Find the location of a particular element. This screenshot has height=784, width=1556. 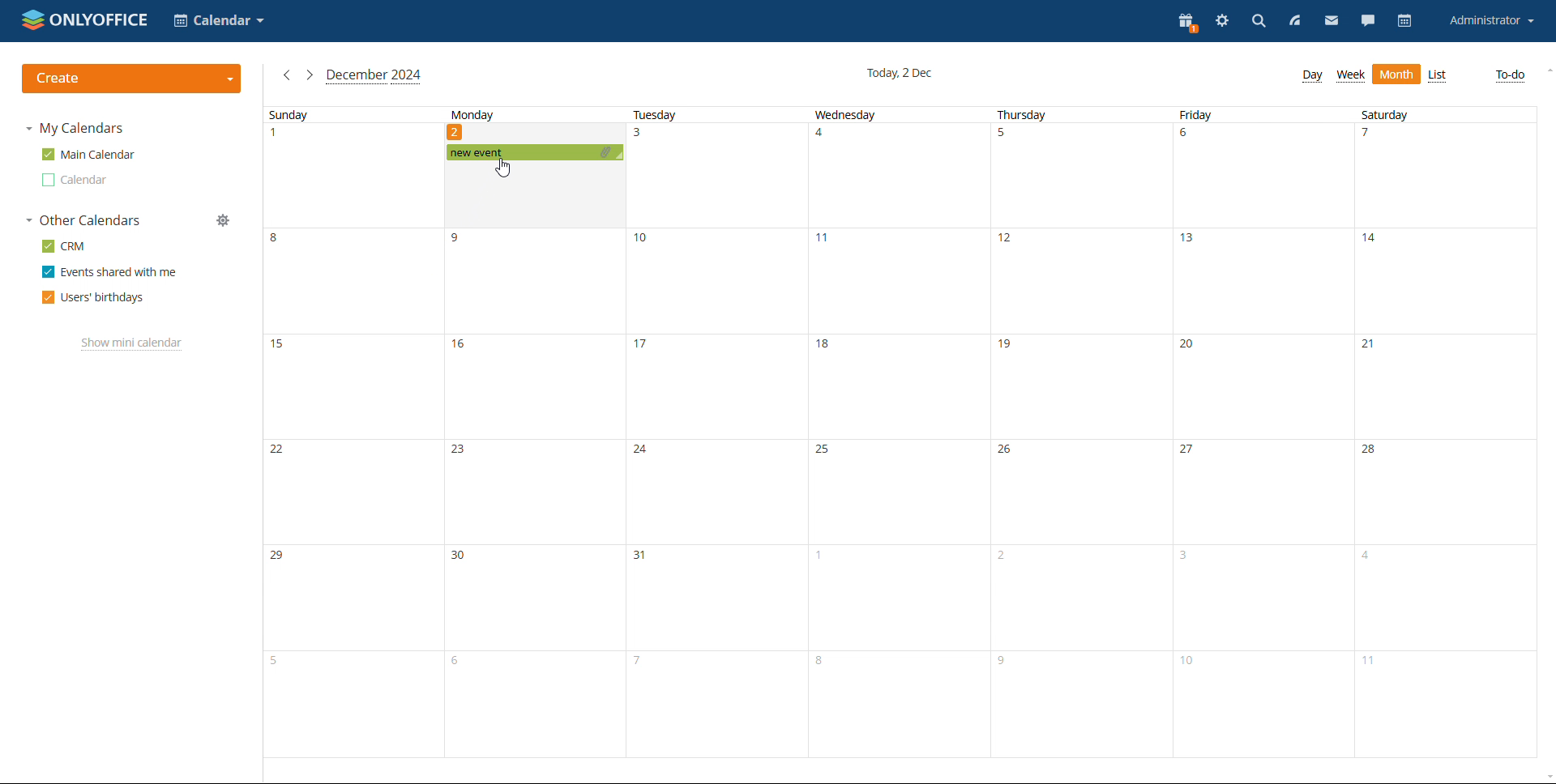

my calendars is located at coordinates (73, 129).